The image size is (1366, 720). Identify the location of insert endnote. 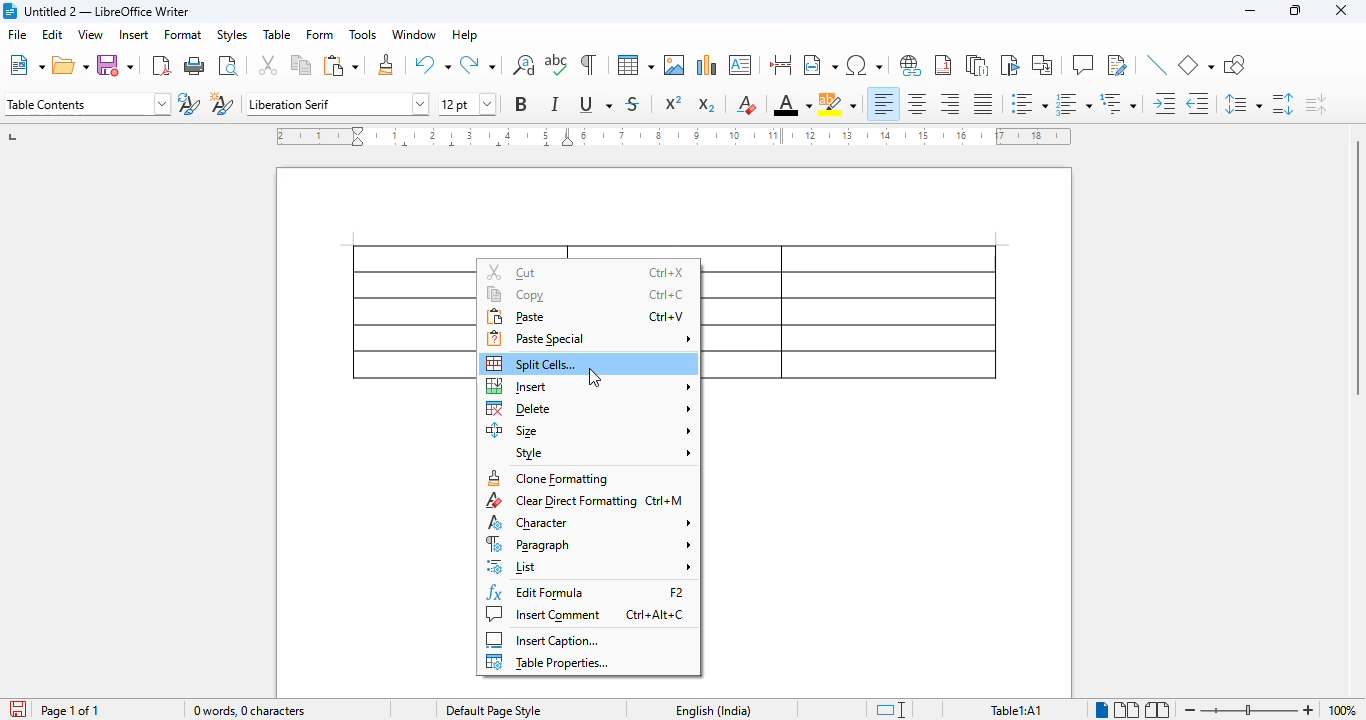
(978, 65).